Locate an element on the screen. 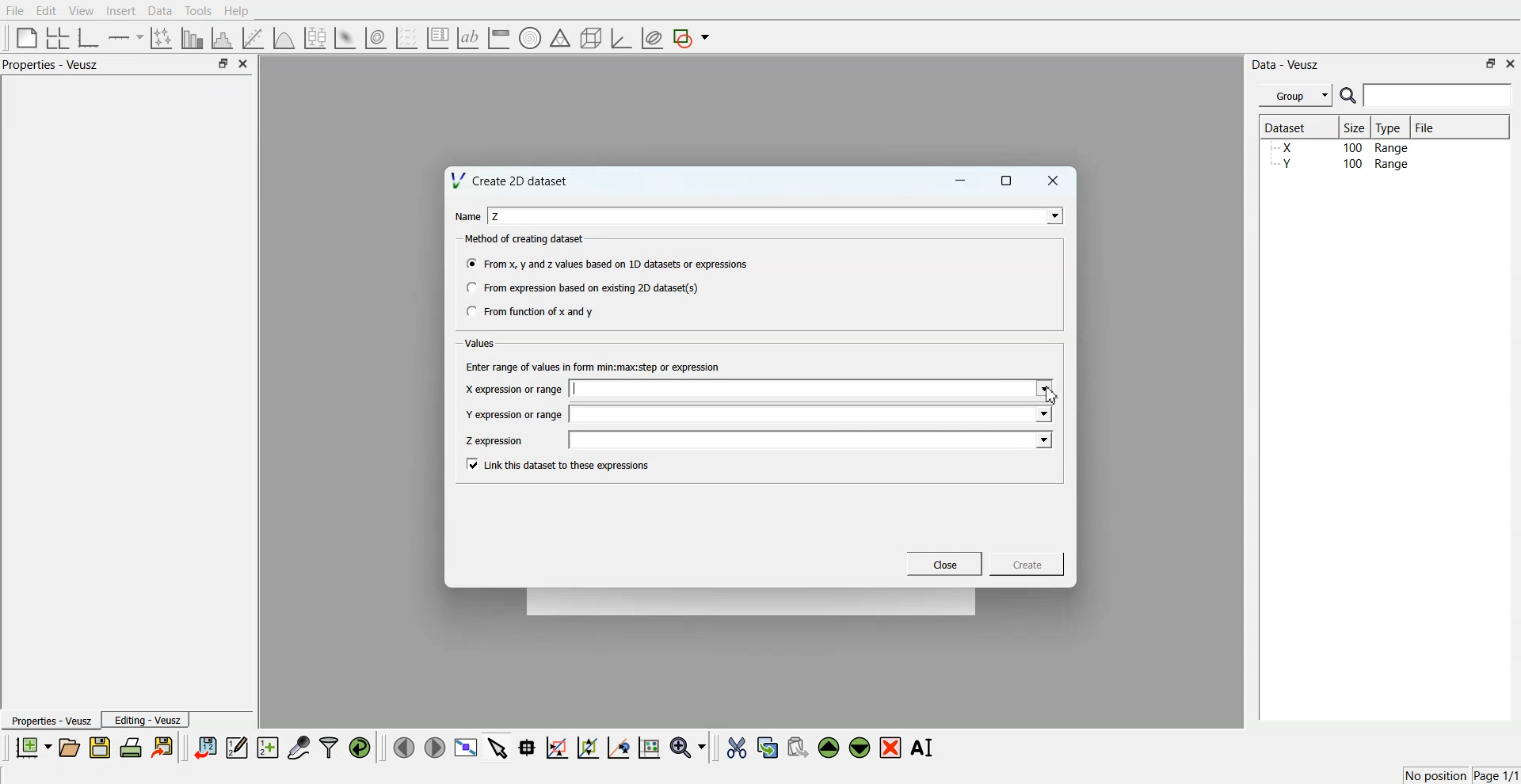  Capture remote data is located at coordinates (299, 747).